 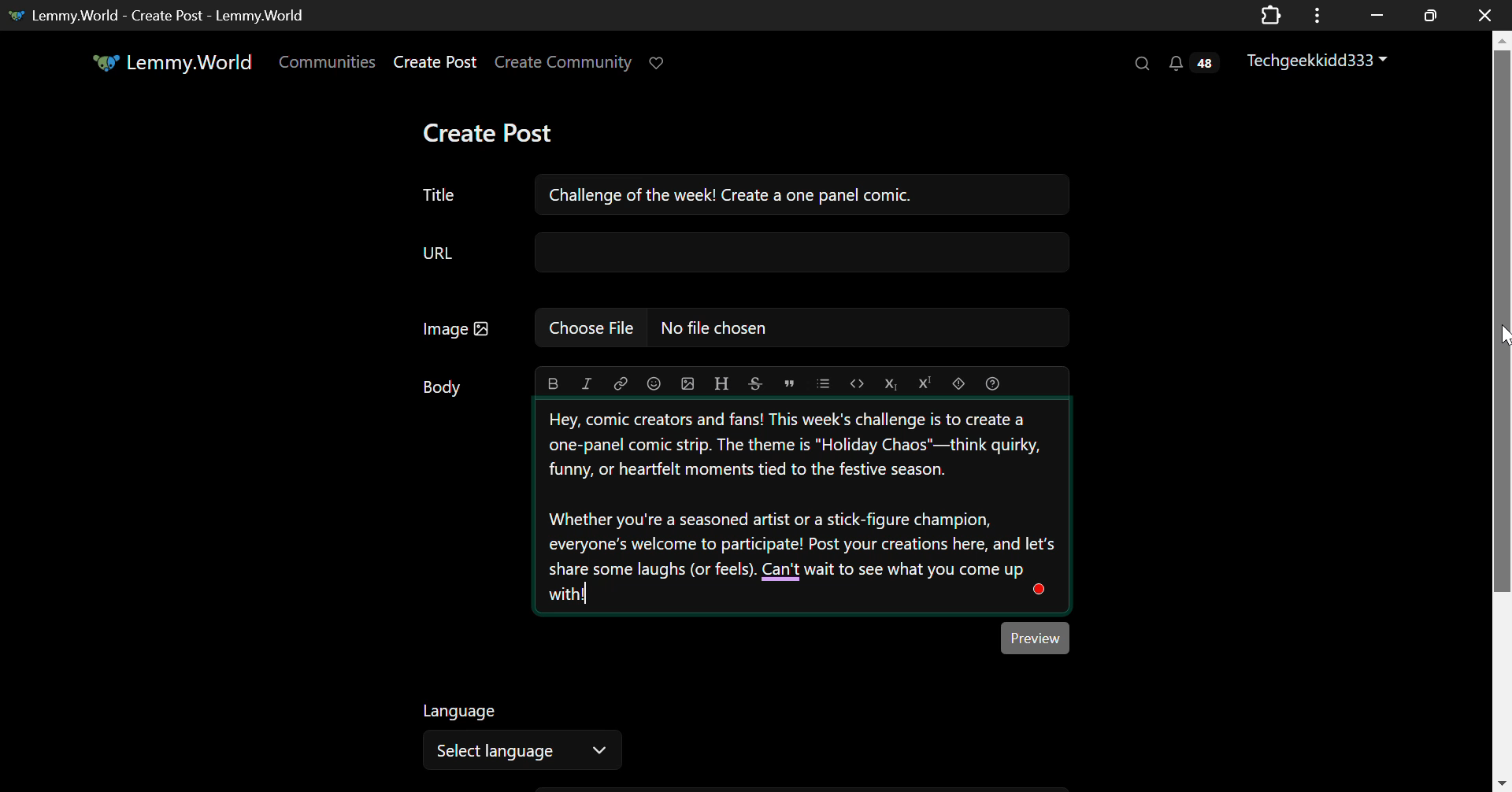 I want to click on URL, so click(x=743, y=257).